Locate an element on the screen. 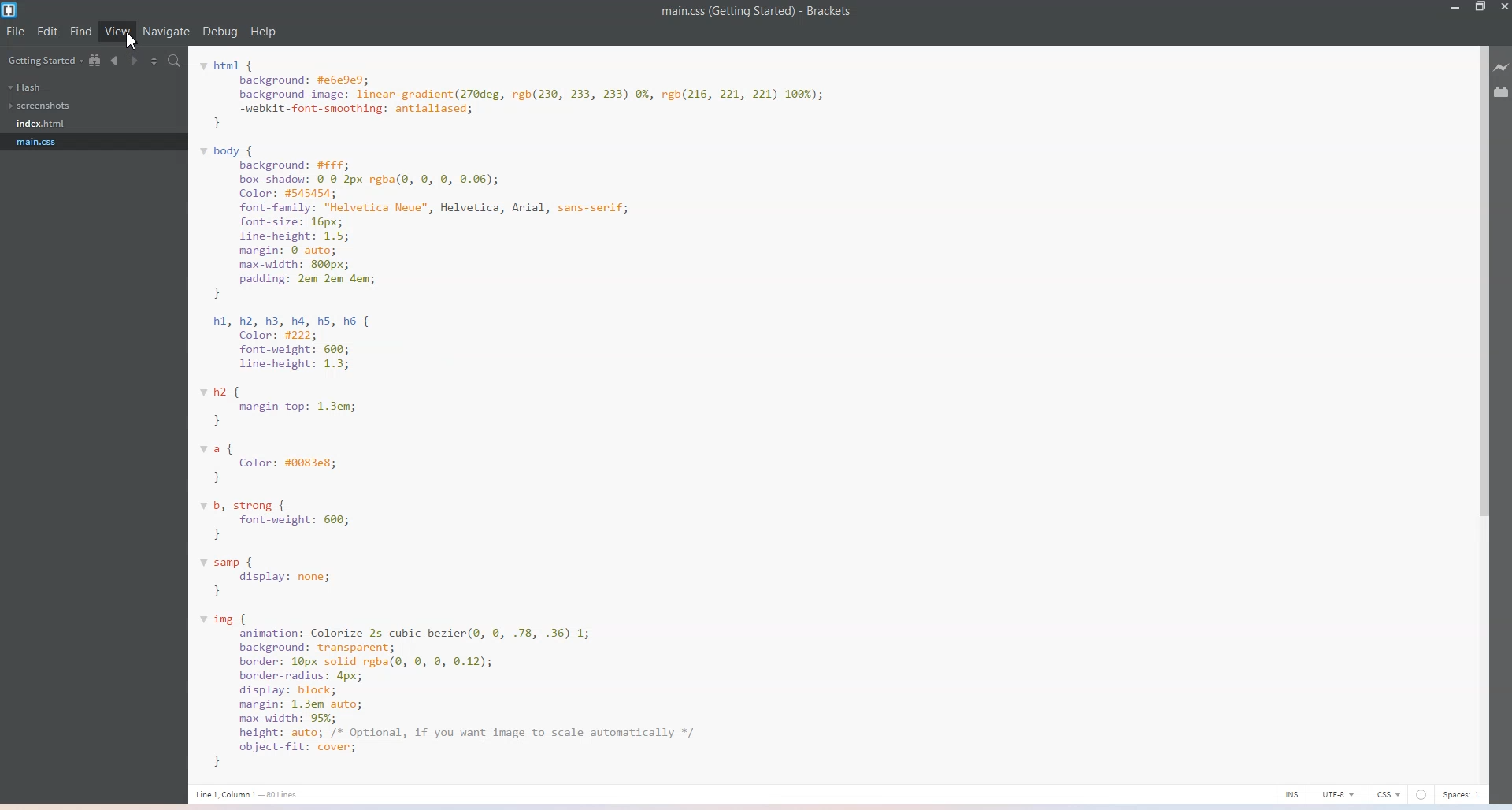  Text 1 is located at coordinates (757, 12).